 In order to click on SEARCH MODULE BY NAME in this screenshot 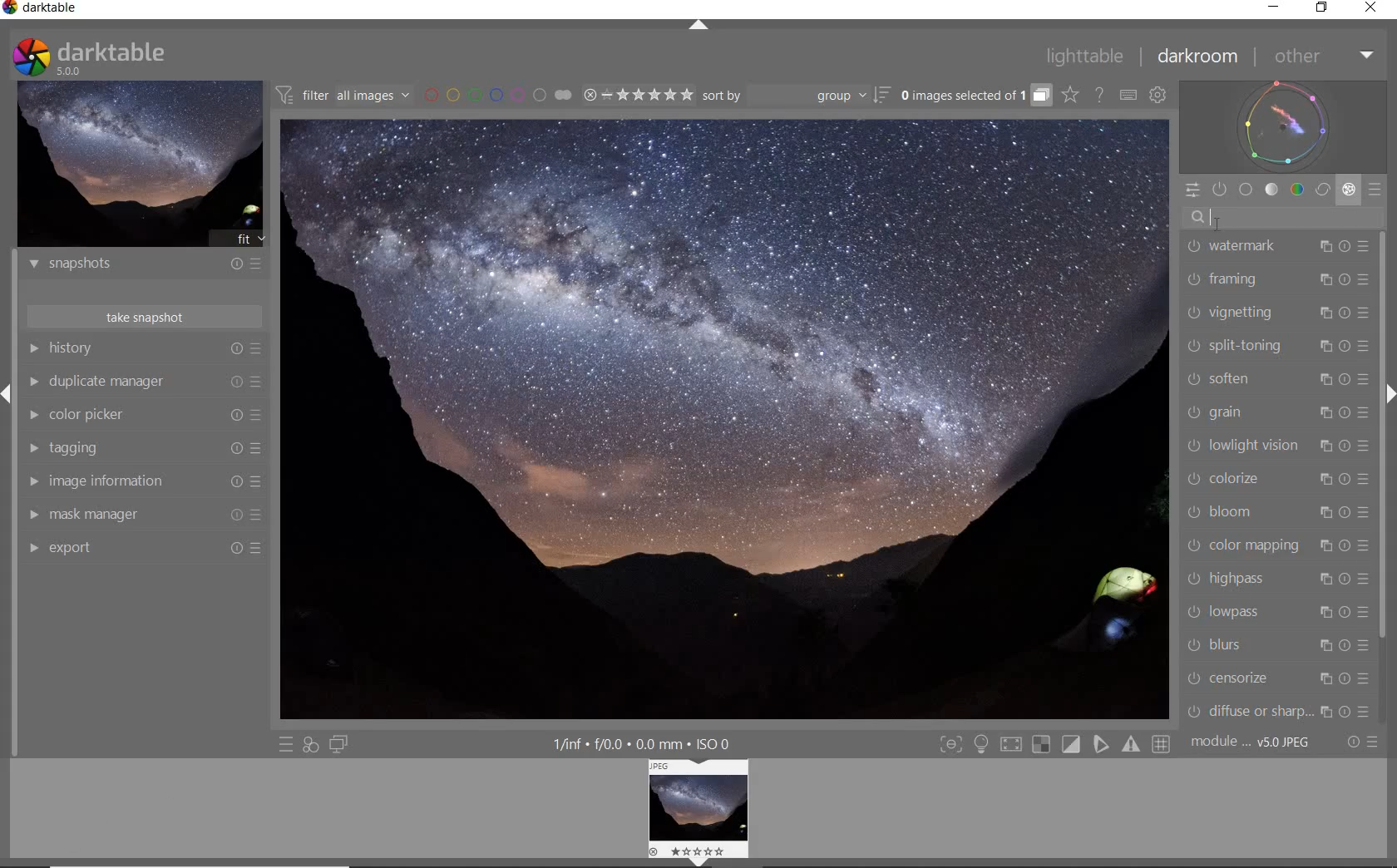, I will do `click(1286, 216)`.